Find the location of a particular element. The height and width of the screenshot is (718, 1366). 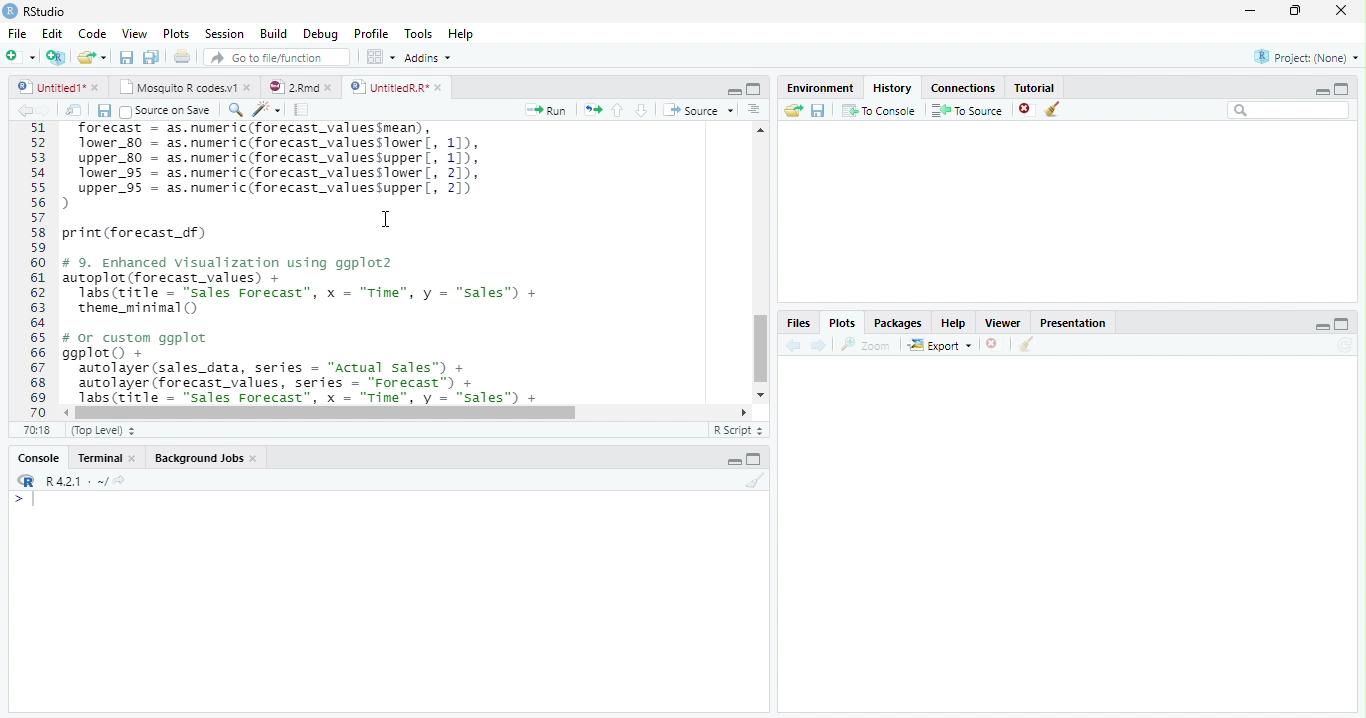

Code is located at coordinates (94, 33).